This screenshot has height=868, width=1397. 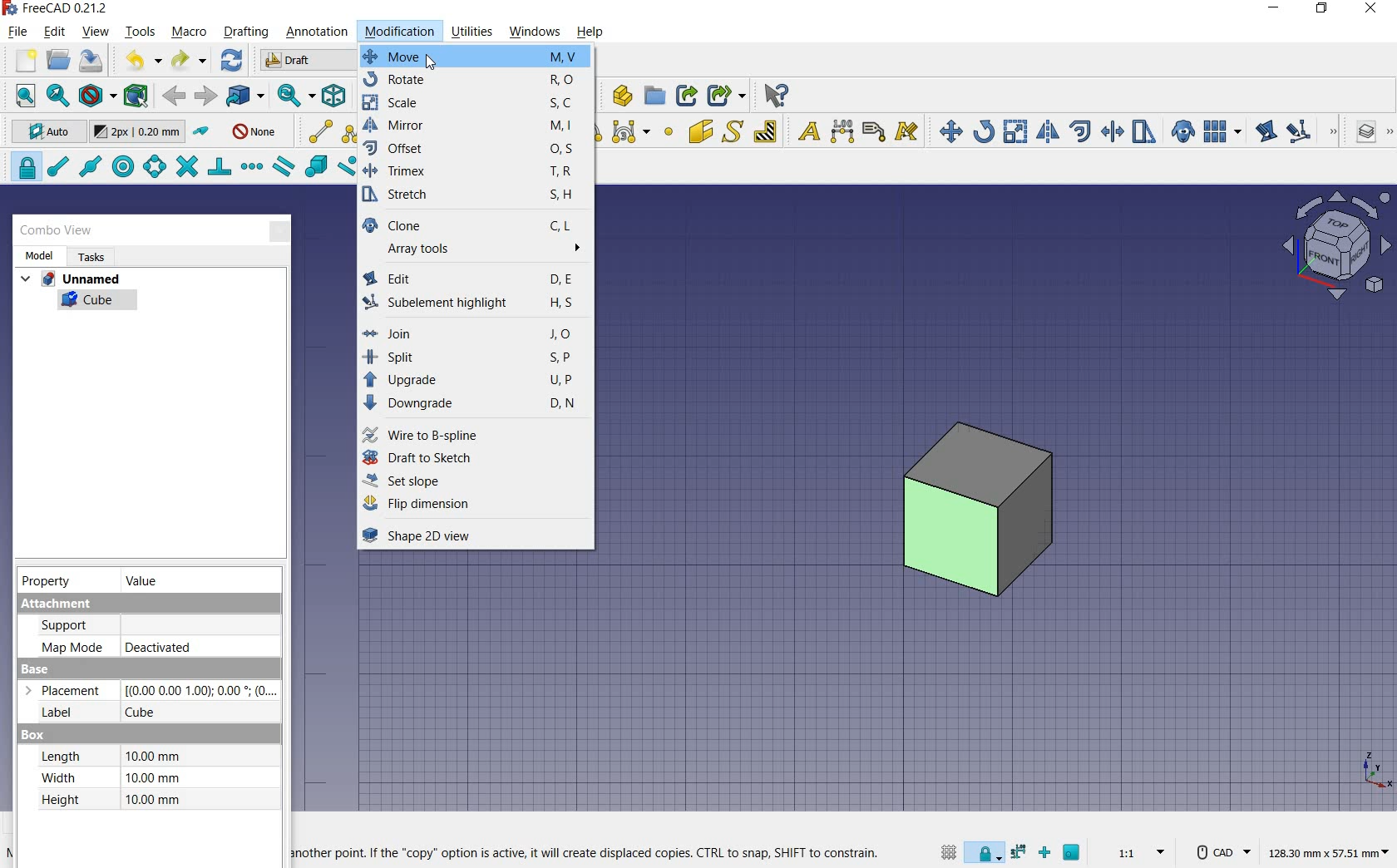 What do you see at coordinates (1335, 245) in the screenshot?
I see `view plane options` at bounding box center [1335, 245].